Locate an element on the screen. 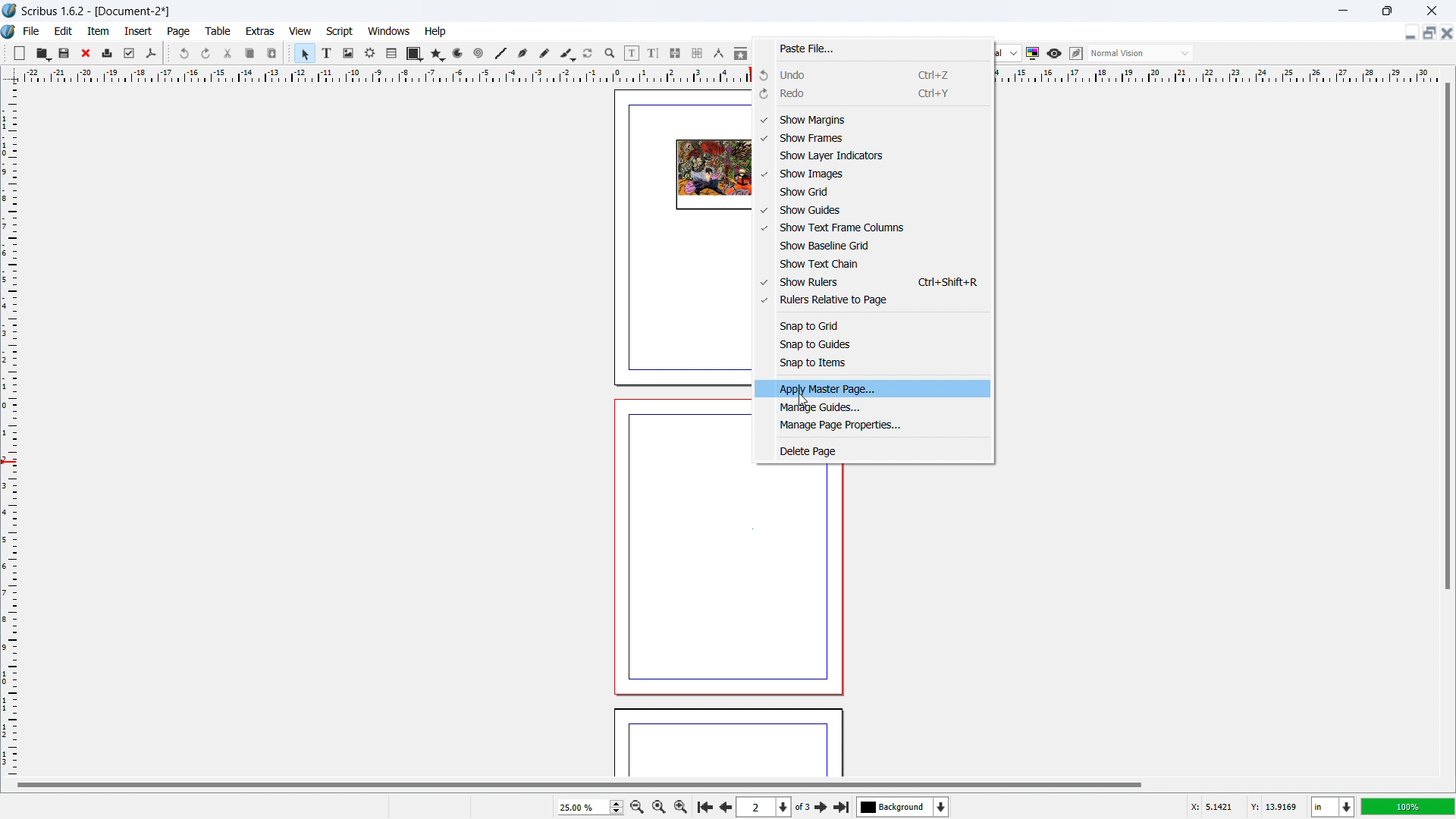 The image size is (1456, 819). page is located at coordinates (721, 583).